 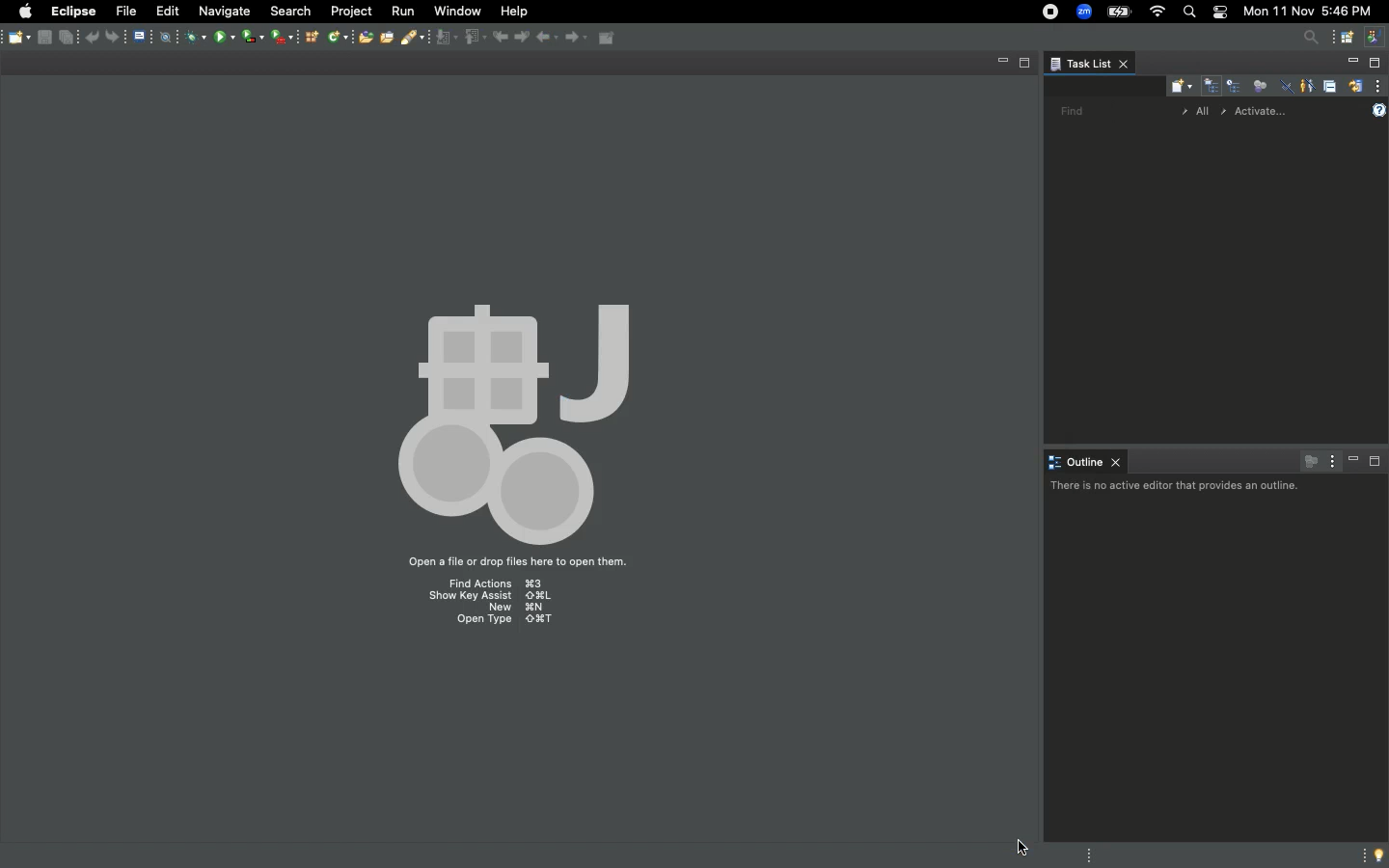 I want to click on Task list, so click(x=1103, y=63).